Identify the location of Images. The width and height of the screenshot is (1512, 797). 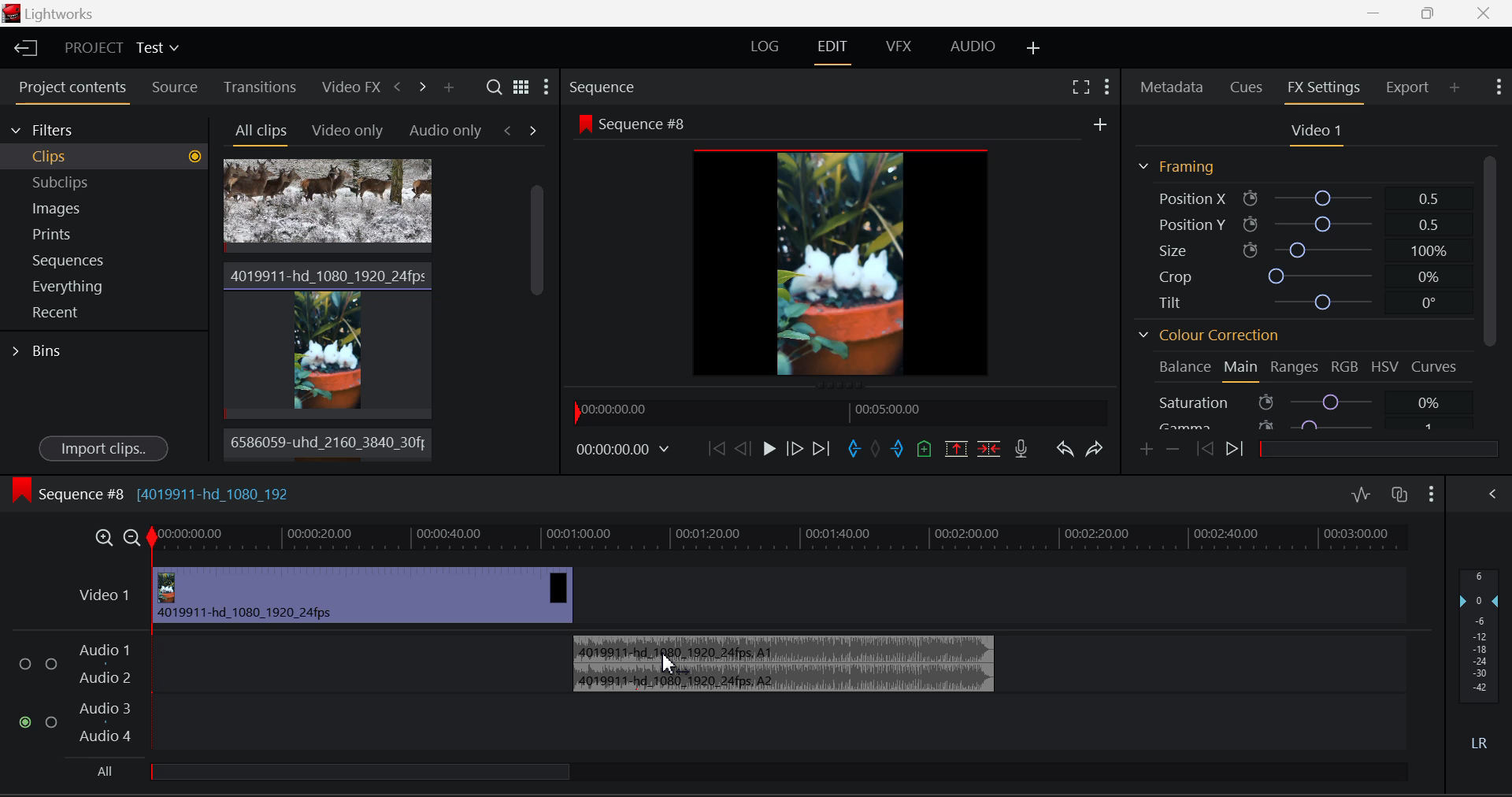
(104, 206).